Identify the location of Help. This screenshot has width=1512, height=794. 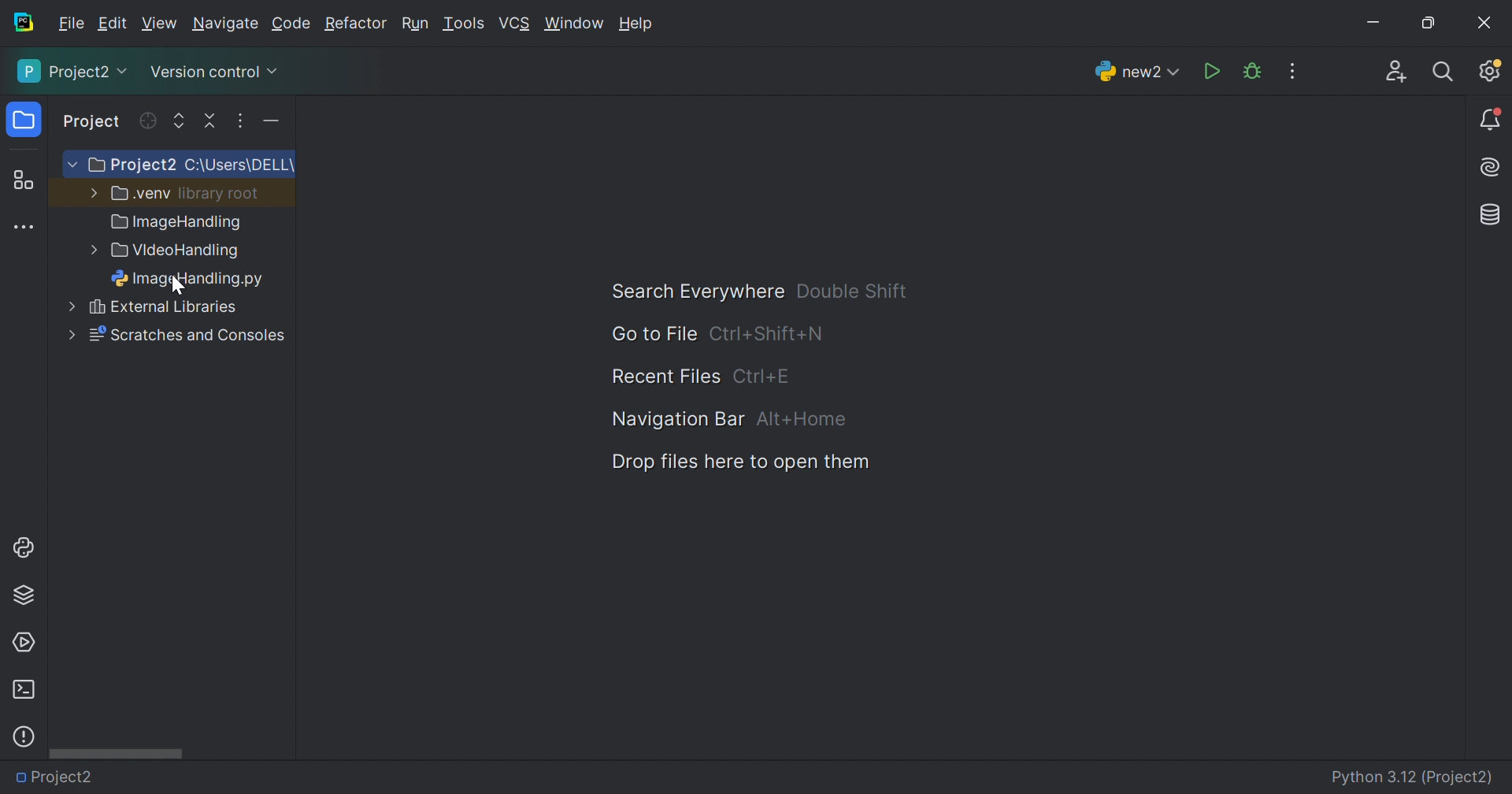
(639, 25).